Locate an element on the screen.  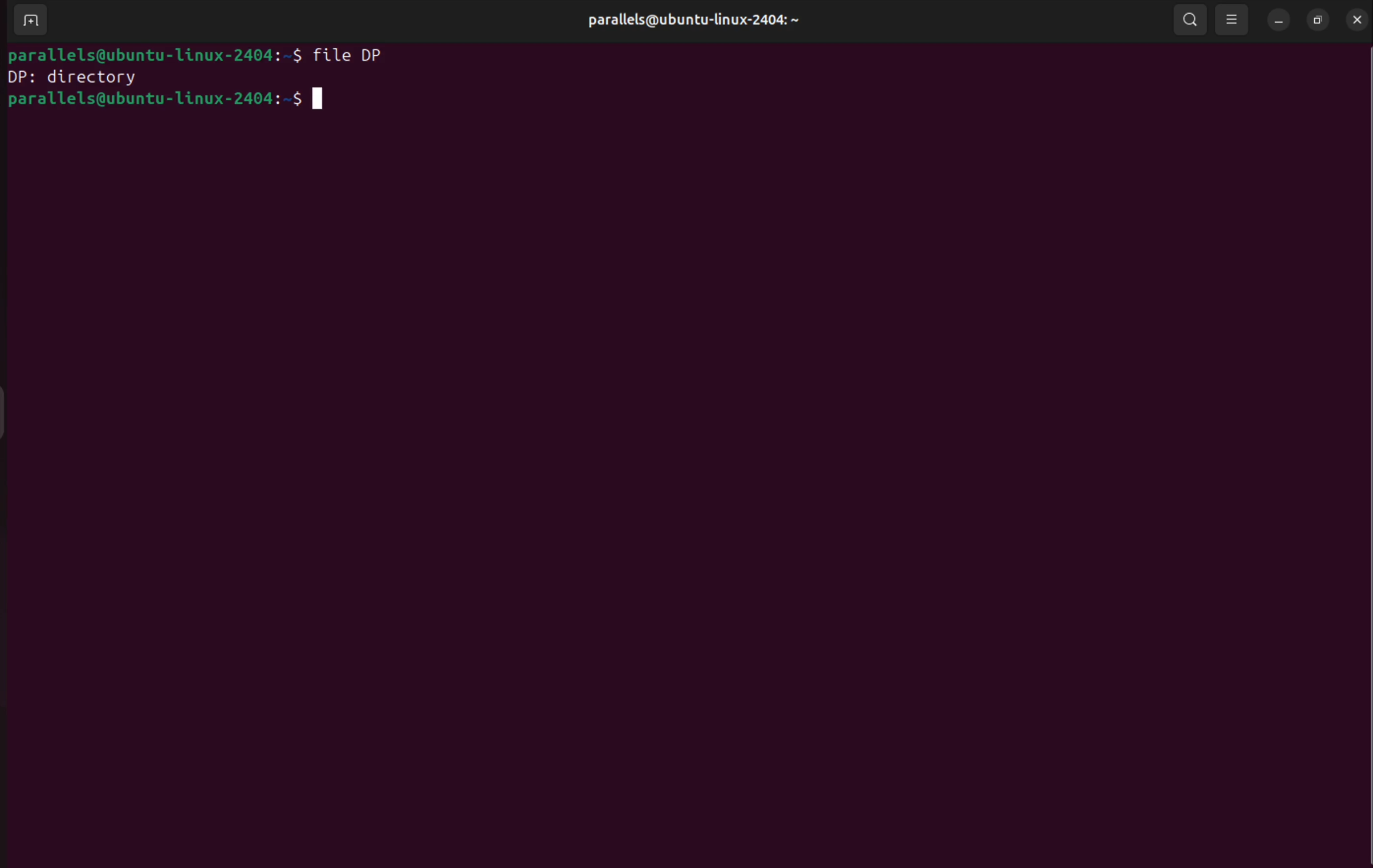
resize is located at coordinates (1318, 20).